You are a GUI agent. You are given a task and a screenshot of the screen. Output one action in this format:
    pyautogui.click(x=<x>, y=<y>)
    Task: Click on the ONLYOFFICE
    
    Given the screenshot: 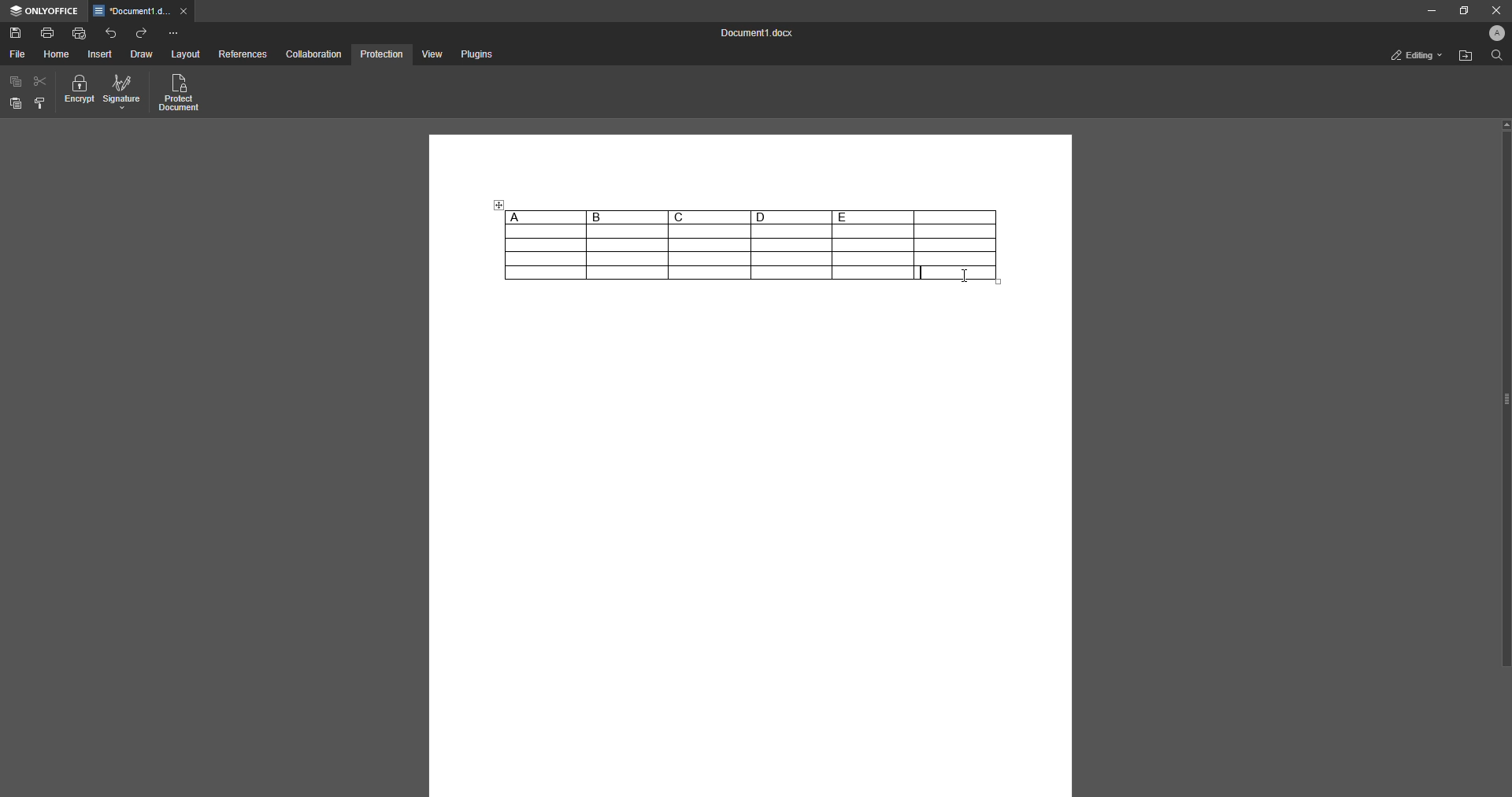 What is the action you would take?
    pyautogui.click(x=44, y=11)
    